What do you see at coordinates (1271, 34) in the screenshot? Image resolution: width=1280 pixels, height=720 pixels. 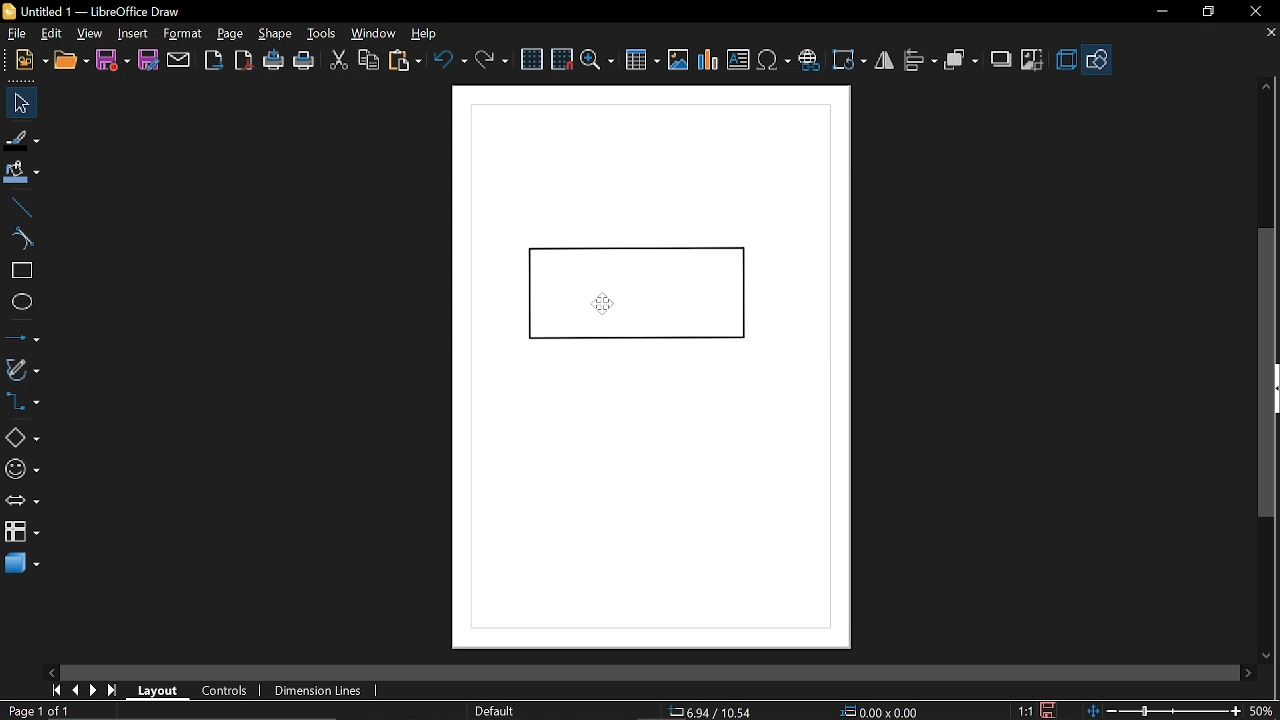 I see `close tab` at bounding box center [1271, 34].